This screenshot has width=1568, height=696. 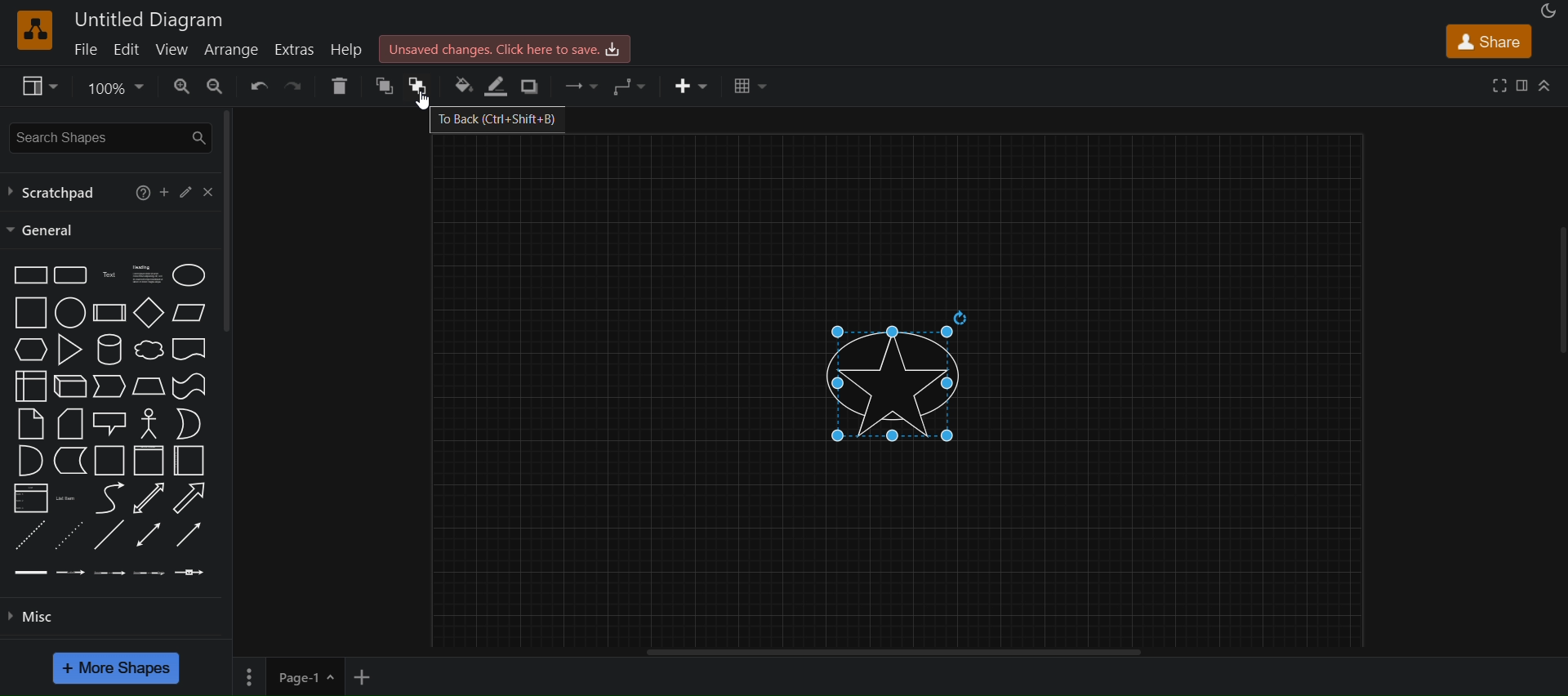 I want to click on line color, so click(x=493, y=86).